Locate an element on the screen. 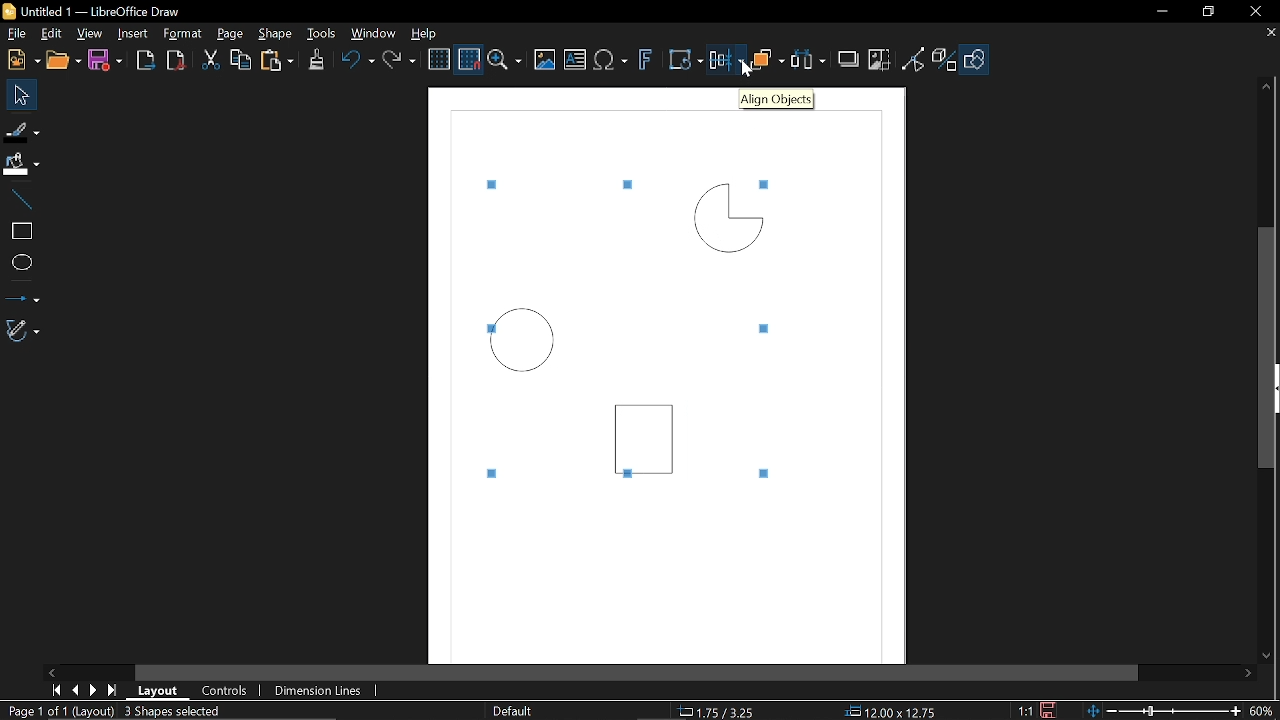 The height and width of the screenshot is (720, 1280). First page is located at coordinates (56, 691).